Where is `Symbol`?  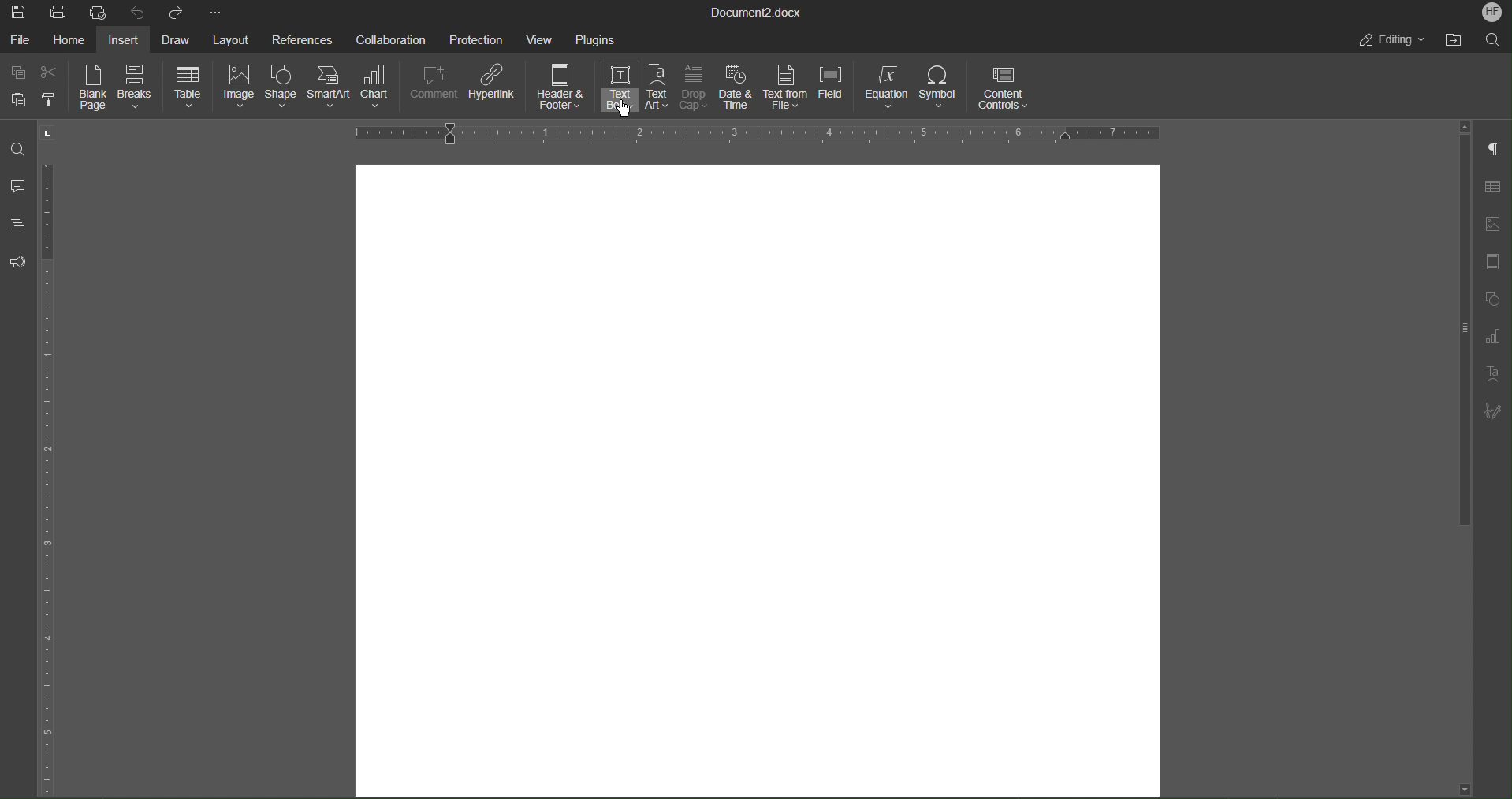
Symbol is located at coordinates (940, 88).